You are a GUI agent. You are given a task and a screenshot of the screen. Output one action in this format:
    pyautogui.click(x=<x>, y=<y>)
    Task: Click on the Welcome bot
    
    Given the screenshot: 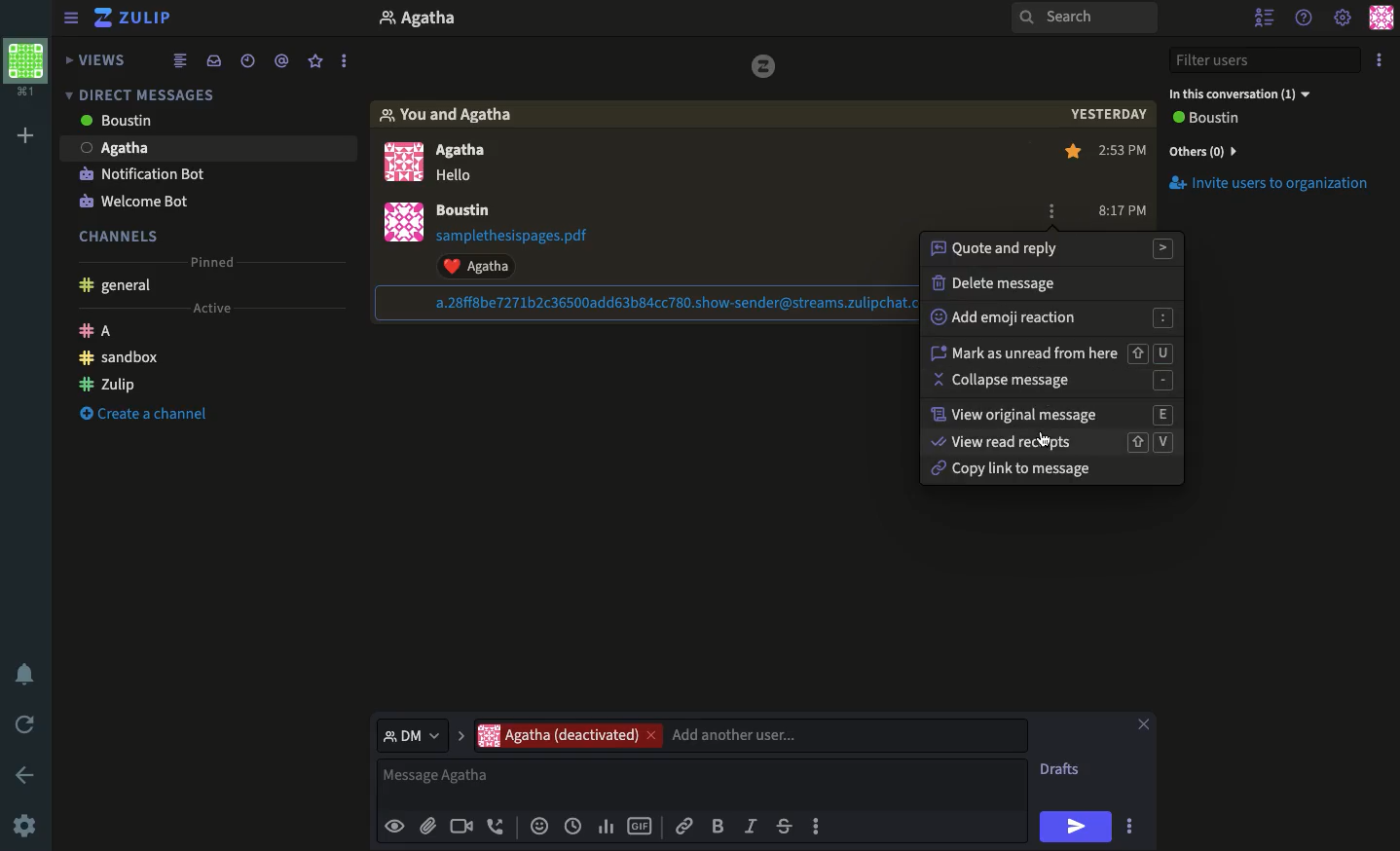 What is the action you would take?
    pyautogui.click(x=133, y=202)
    